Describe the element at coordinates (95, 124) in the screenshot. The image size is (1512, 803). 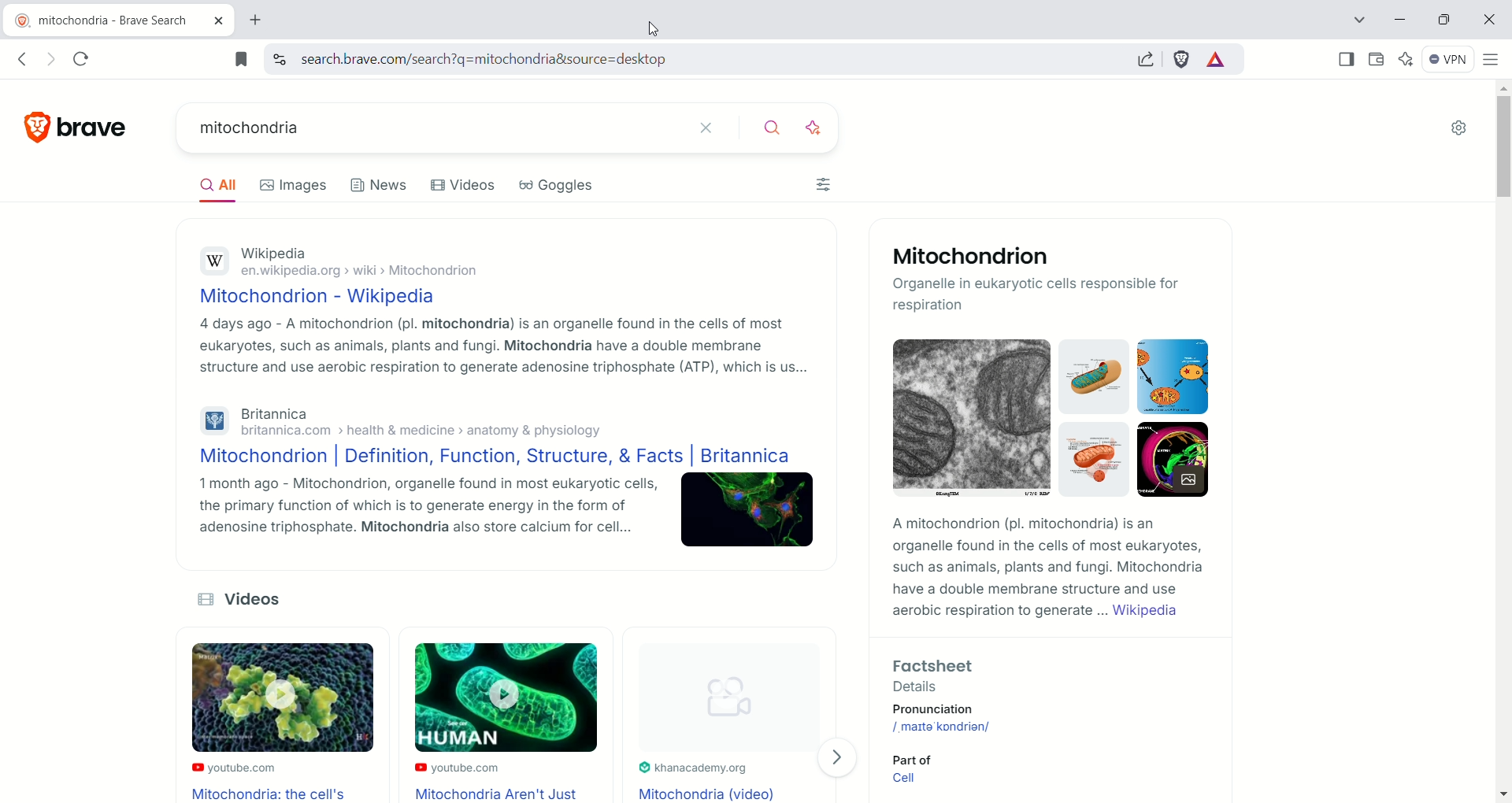
I see `brave` at that location.